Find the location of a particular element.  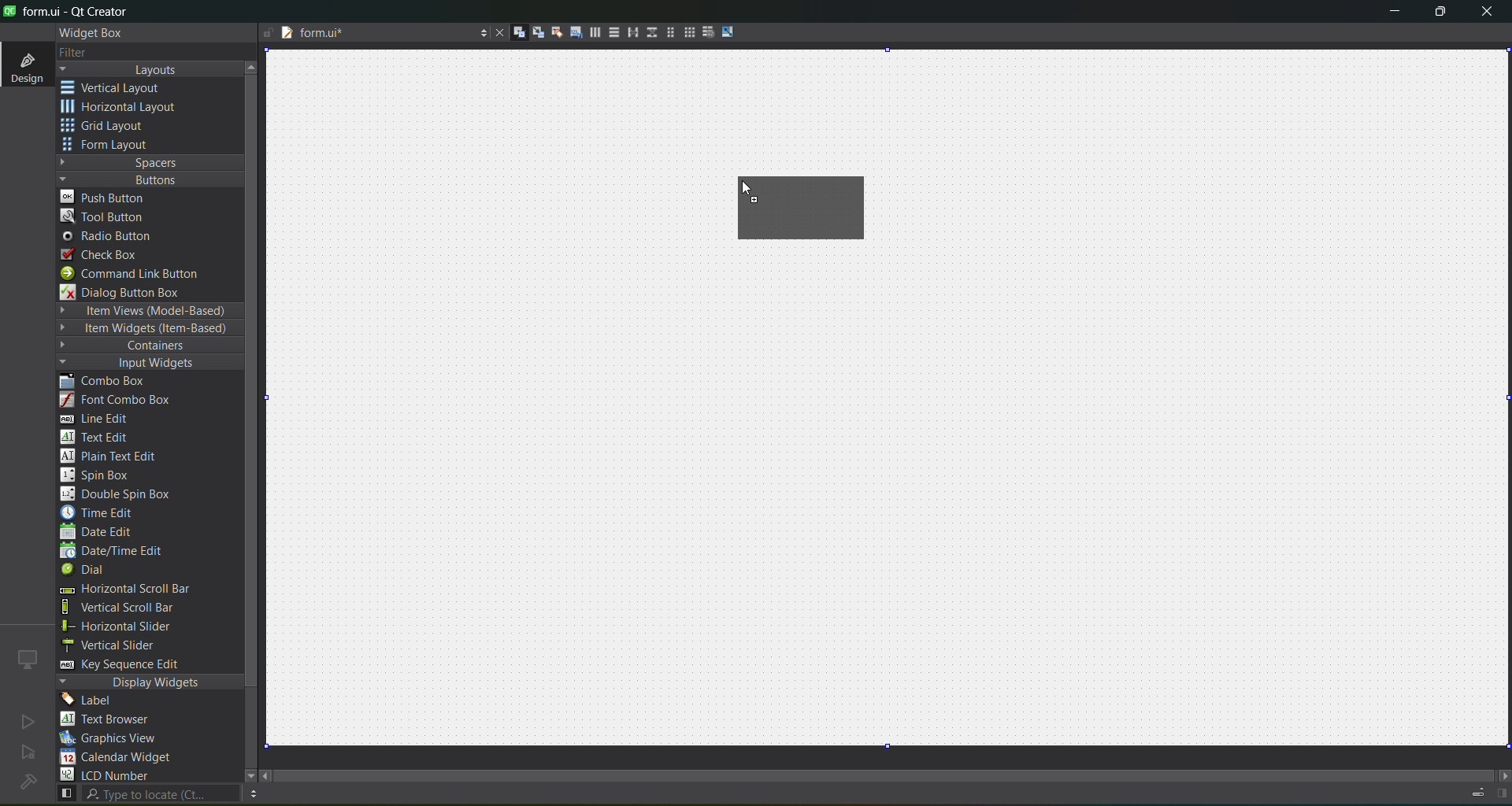

widget box is located at coordinates (94, 33).